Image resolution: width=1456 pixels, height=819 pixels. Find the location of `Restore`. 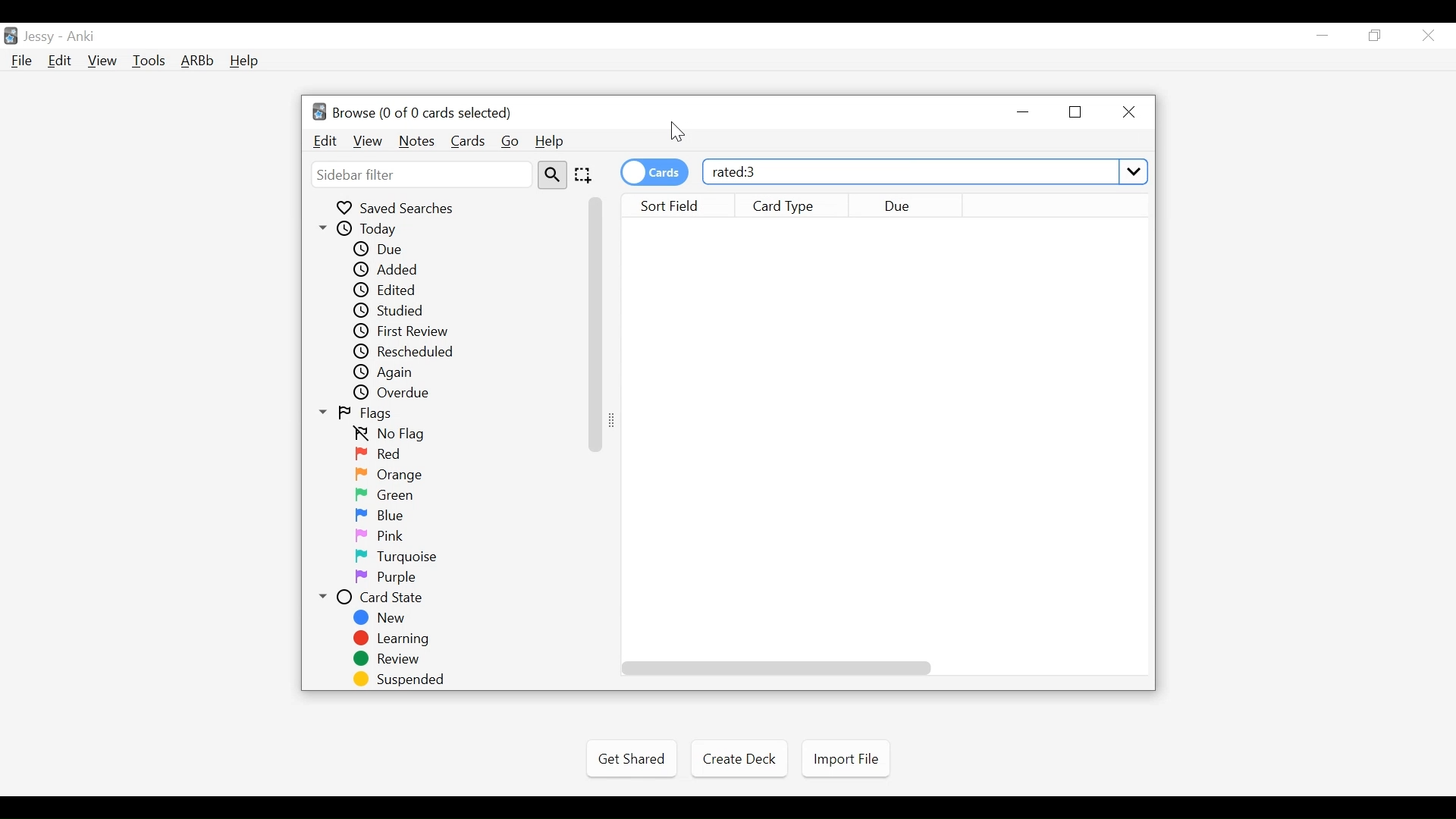

Restore is located at coordinates (1075, 114).